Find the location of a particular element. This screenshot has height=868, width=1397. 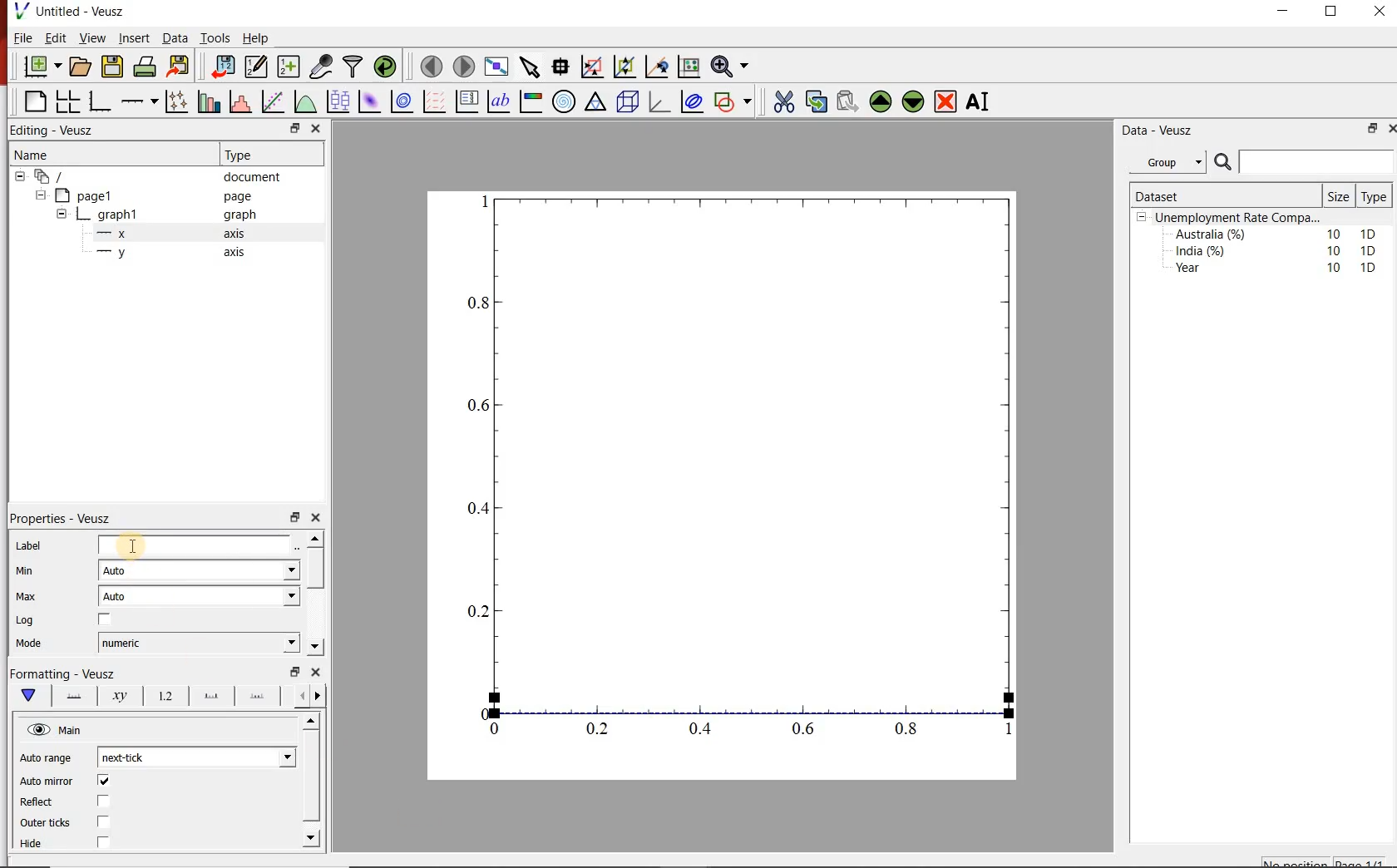

Dataset is located at coordinates (1196, 196).